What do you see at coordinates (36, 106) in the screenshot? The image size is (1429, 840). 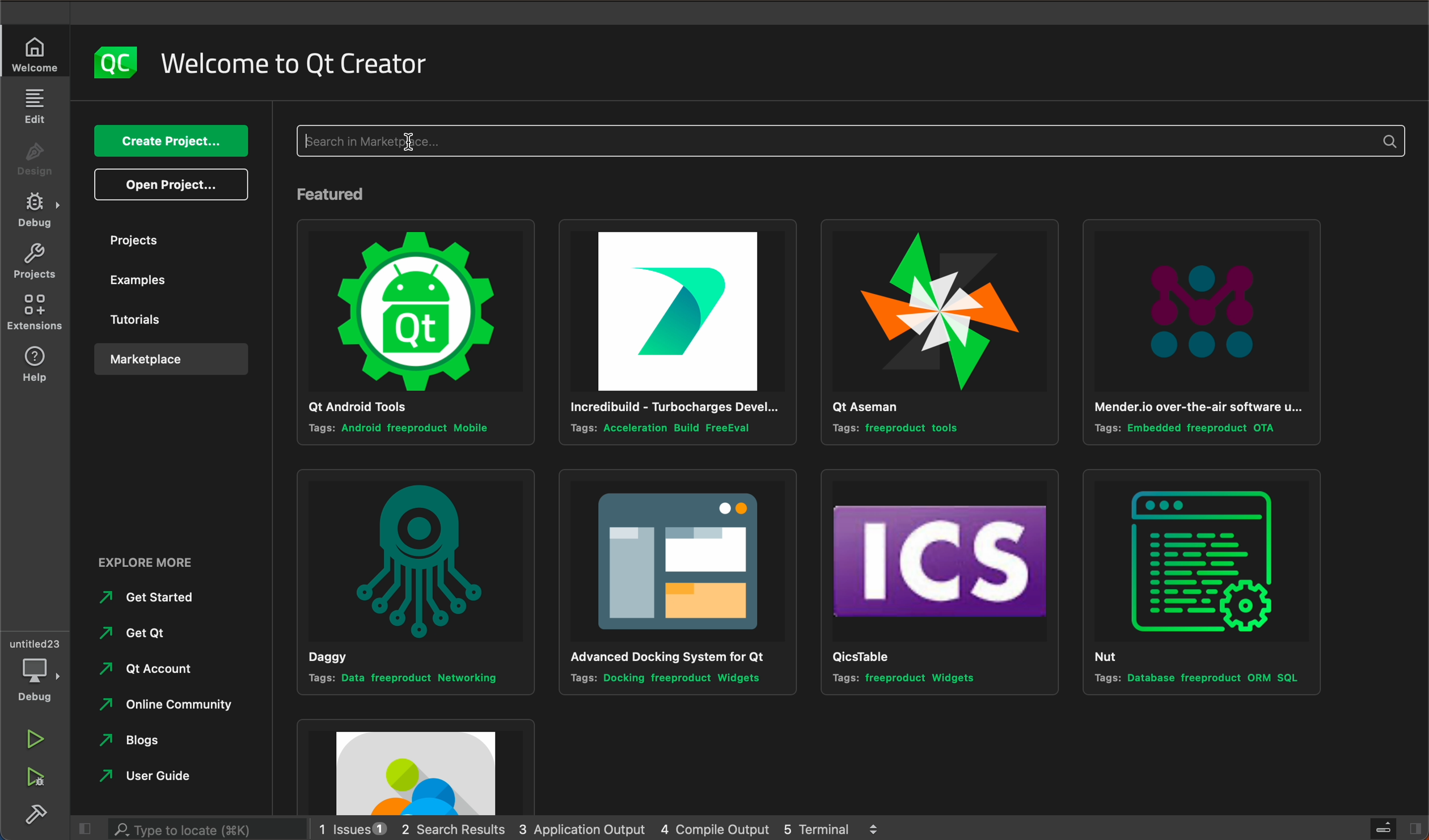 I see `edit` at bounding box center [36, 106].